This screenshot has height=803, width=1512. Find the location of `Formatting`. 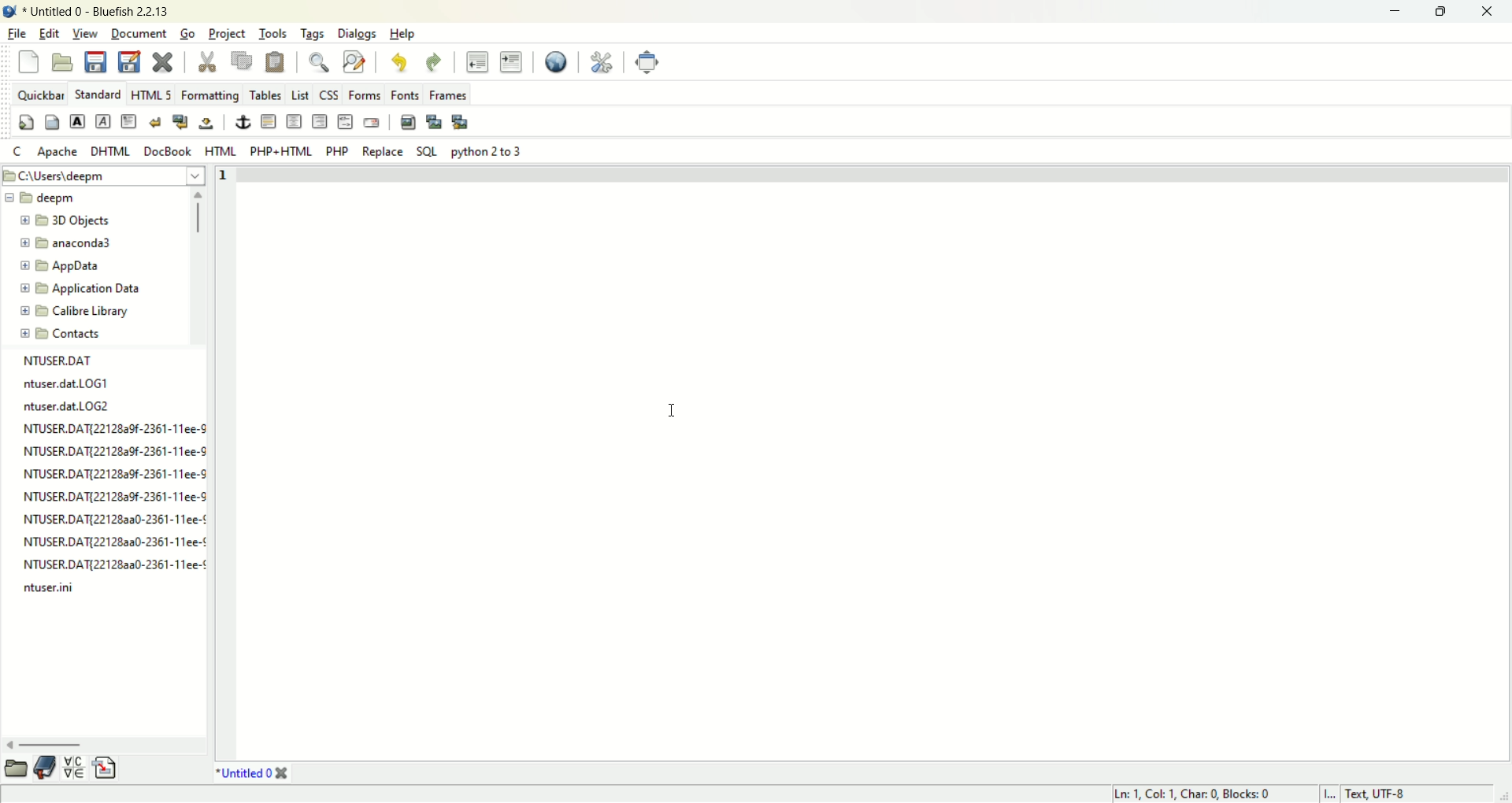

Formatting is located at coordinates (210, 96).